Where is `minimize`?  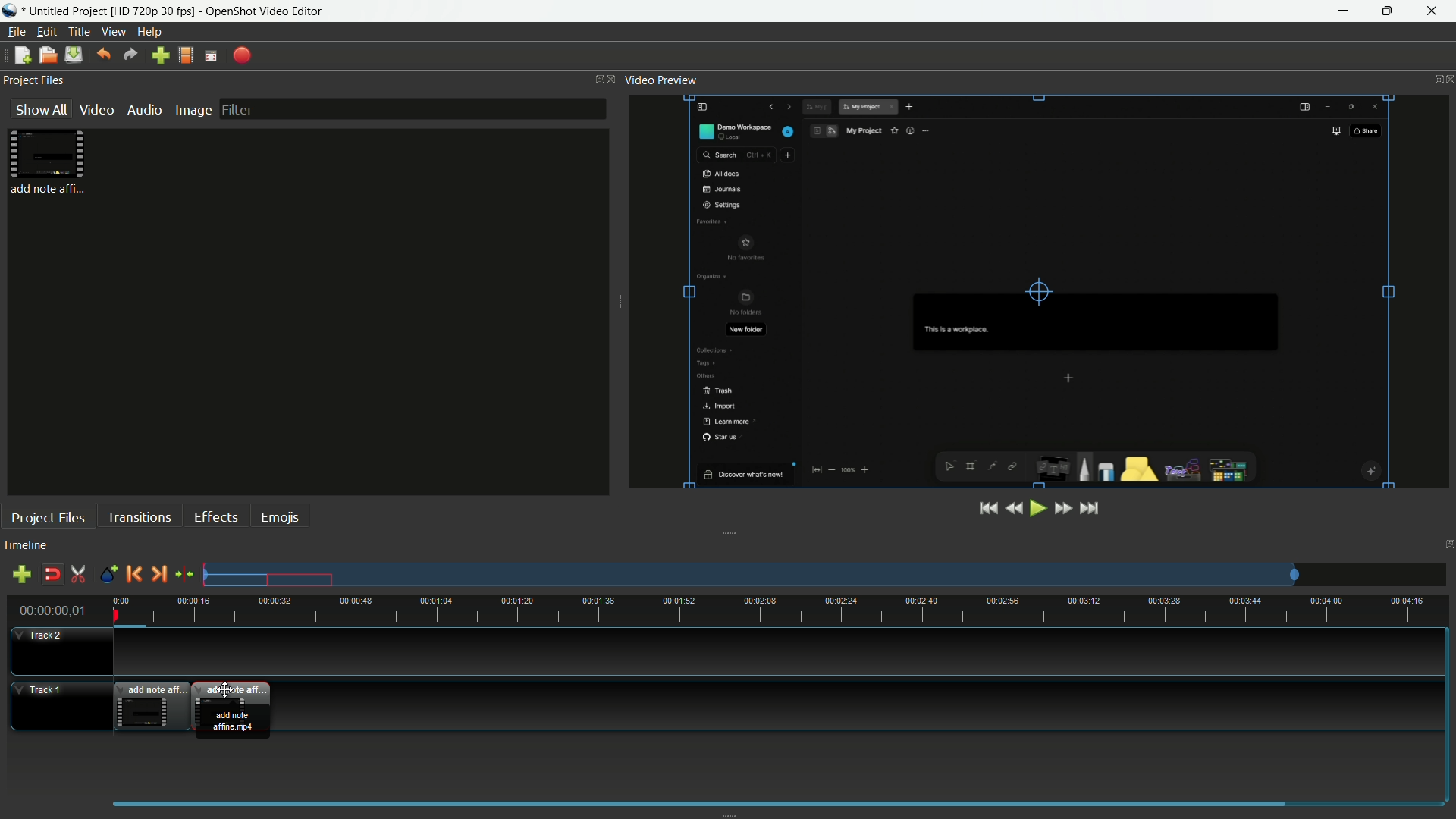 minimize is located at coordinates (1342, 11).